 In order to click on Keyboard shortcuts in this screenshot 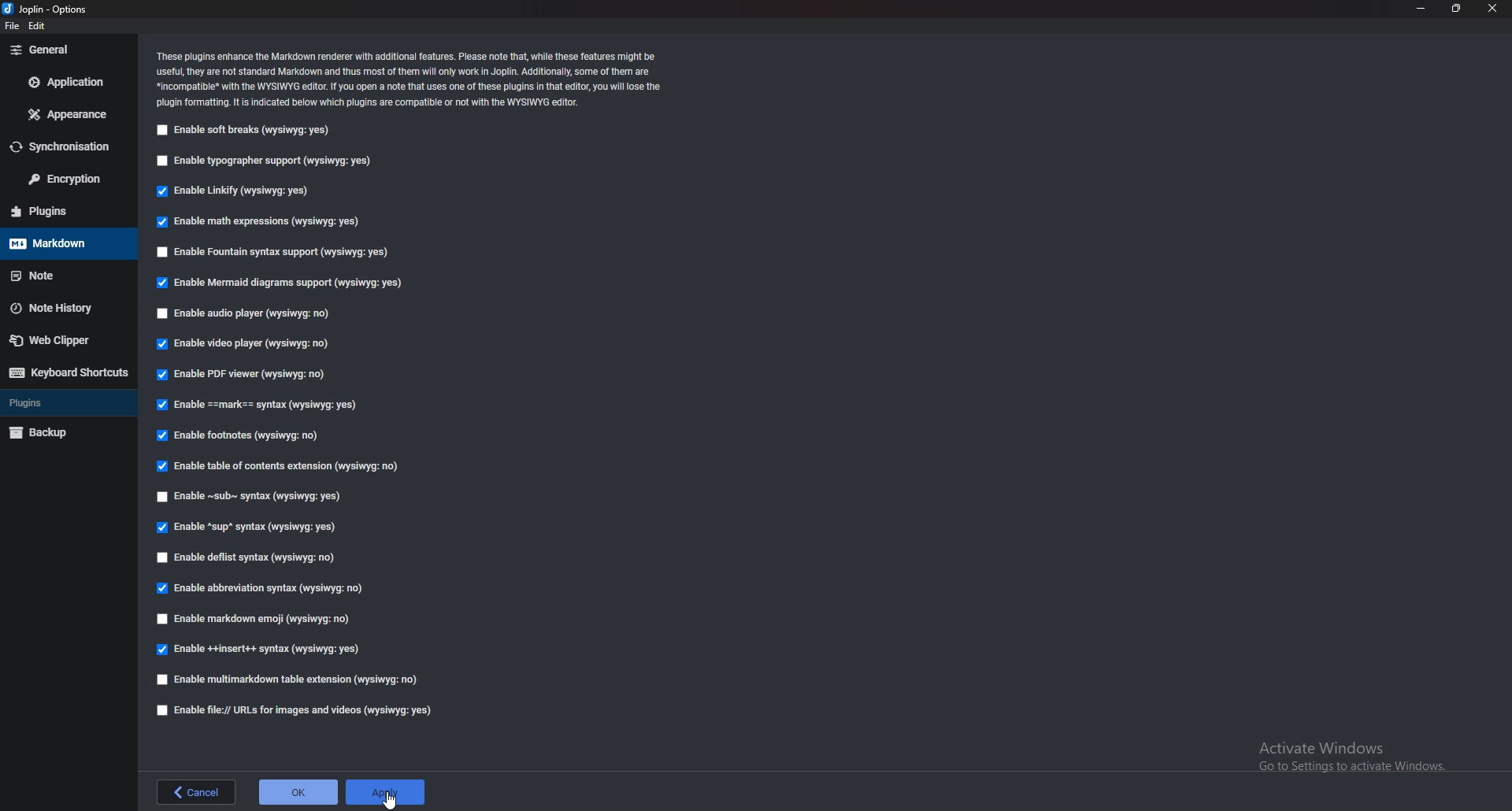, I will do `click(69, 372)`.